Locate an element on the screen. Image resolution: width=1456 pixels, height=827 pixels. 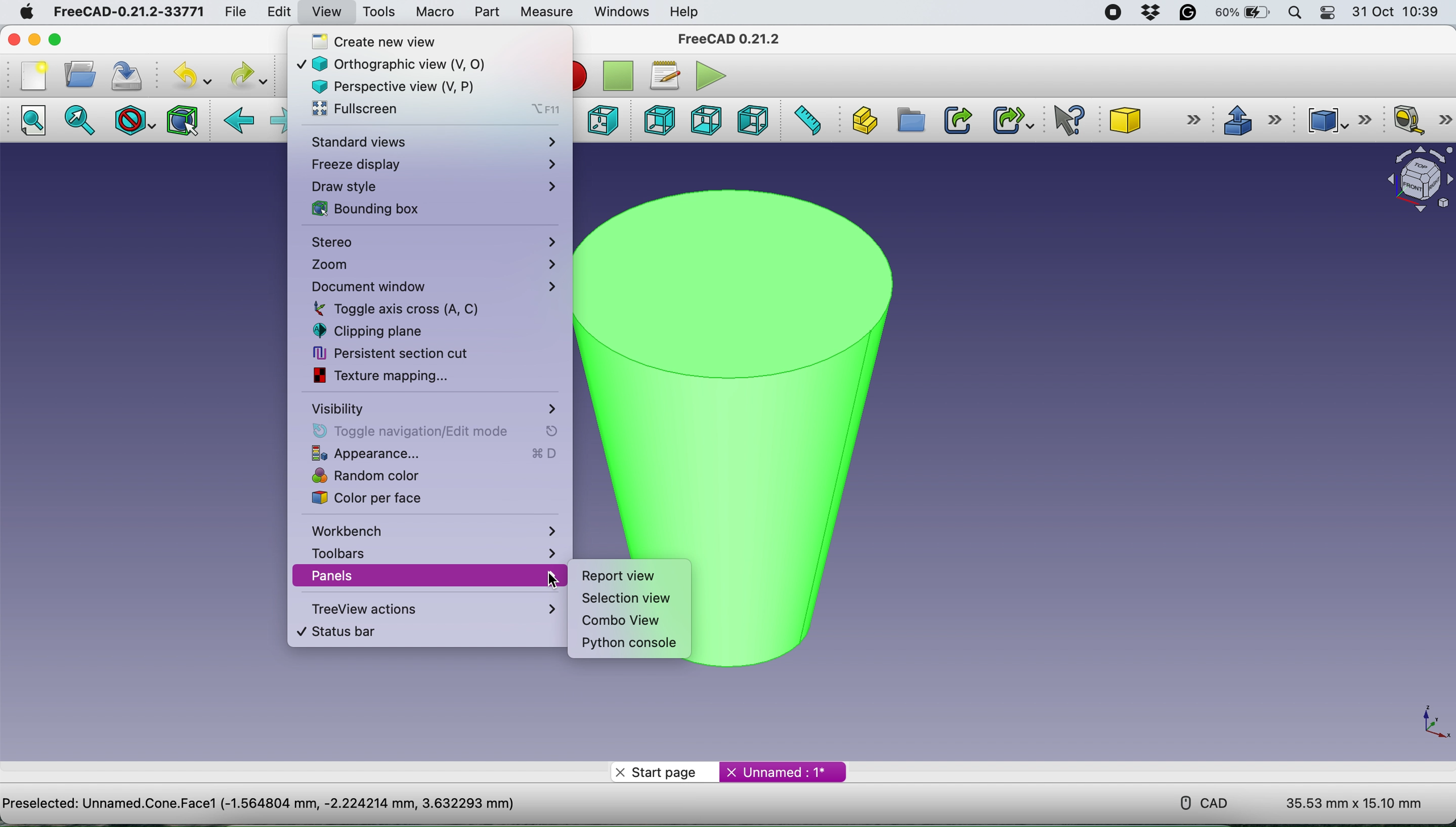
make link is located at coordinates (958, 119).